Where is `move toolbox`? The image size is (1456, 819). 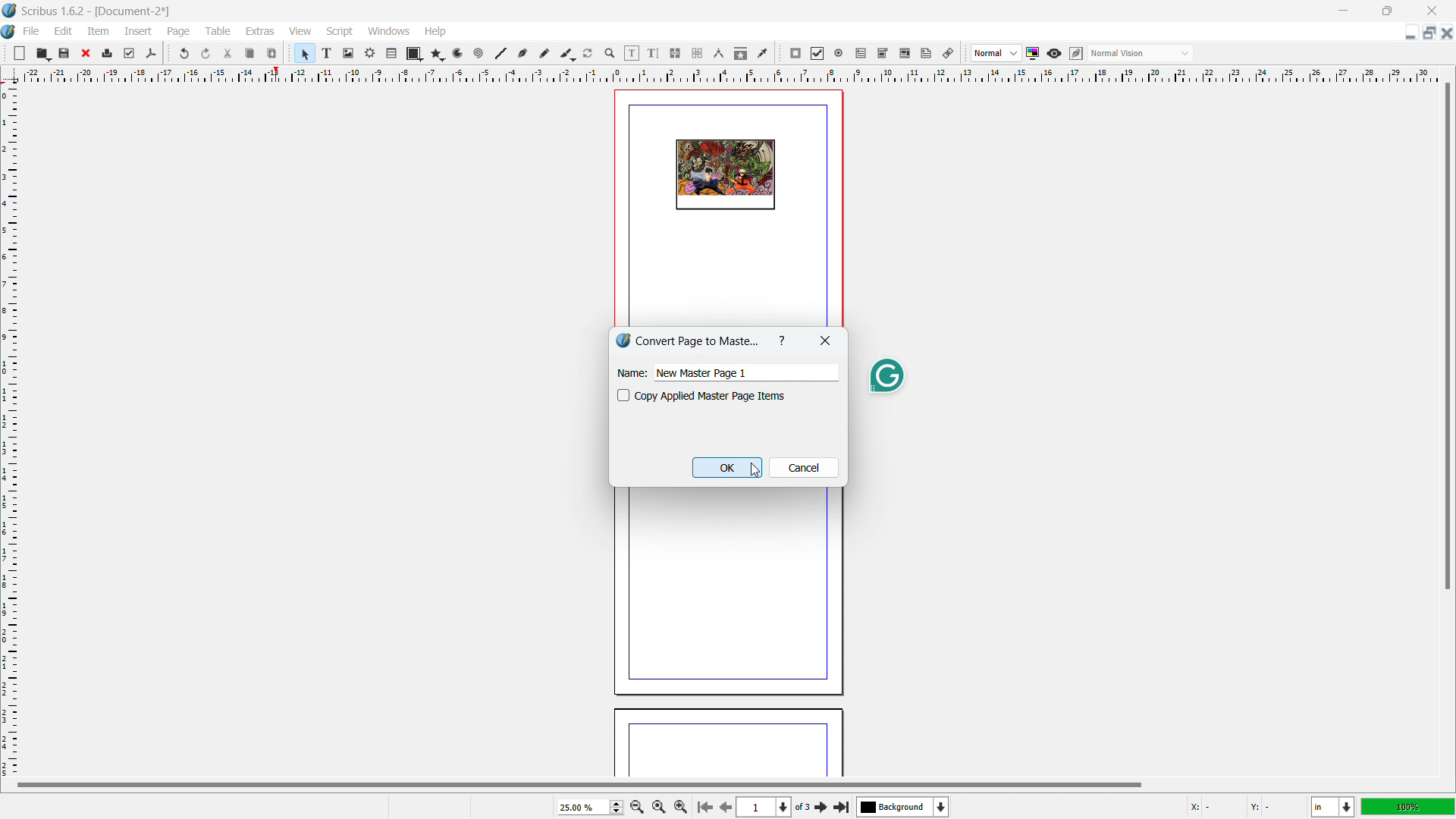
move toolbox is located at coordinates (290, 52).